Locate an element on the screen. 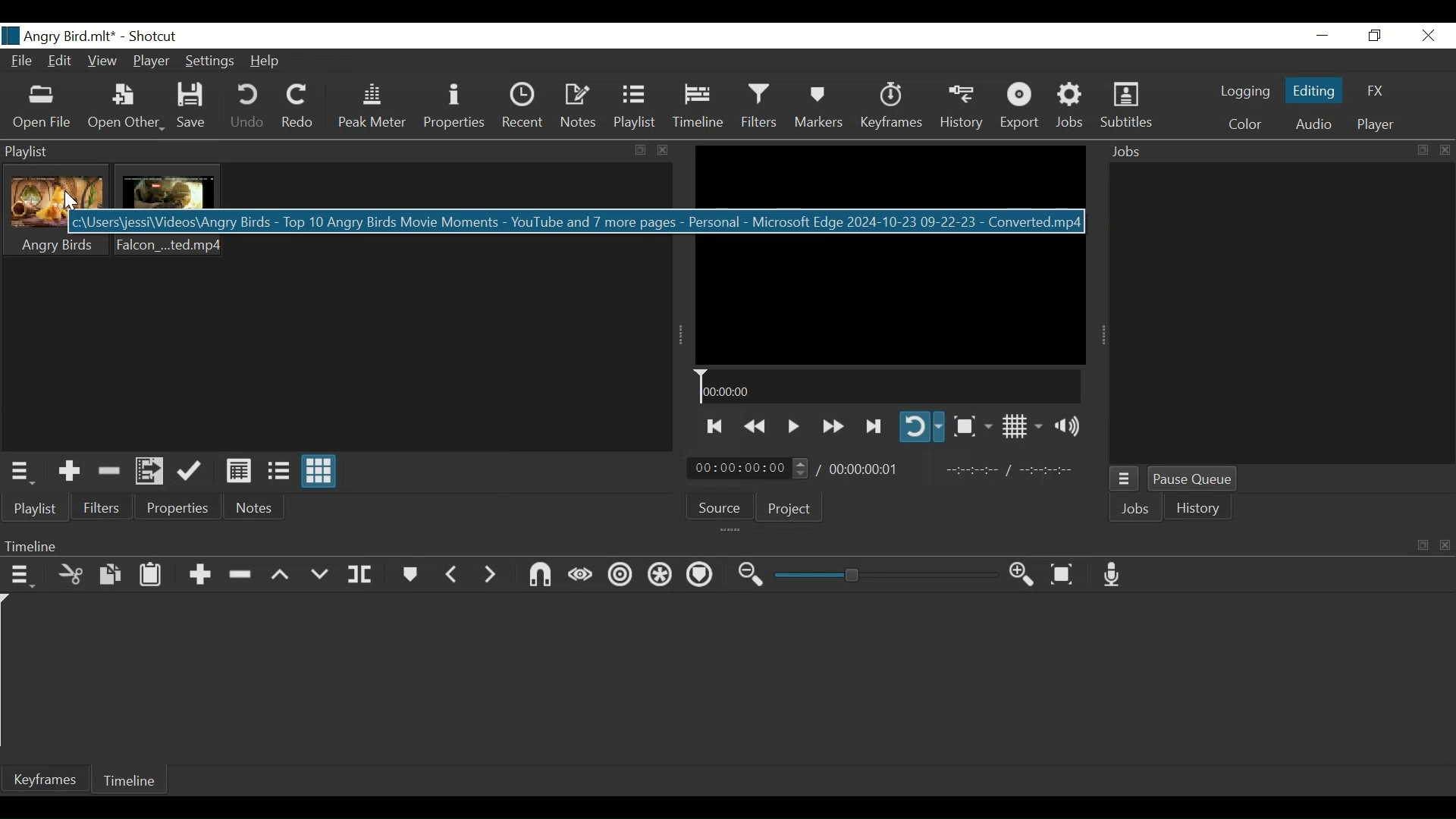 Image resolution: width=1456 pixels, height=819 pixels. Source is located at coordinates (722, 510).